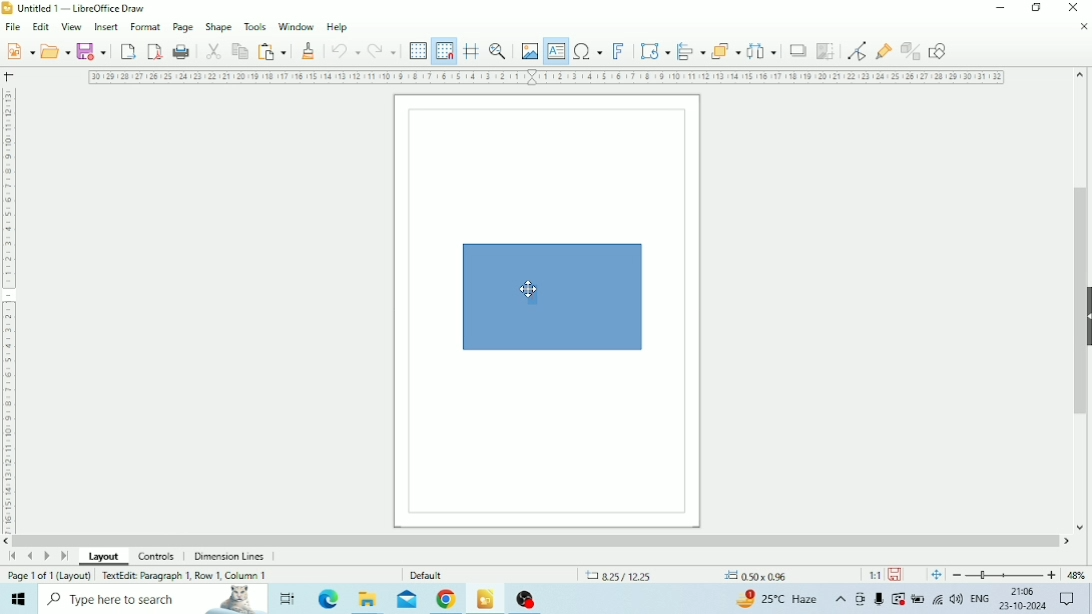  Describe the element at coordinates (72, 27) in the screenshot. I see `View` at that location.